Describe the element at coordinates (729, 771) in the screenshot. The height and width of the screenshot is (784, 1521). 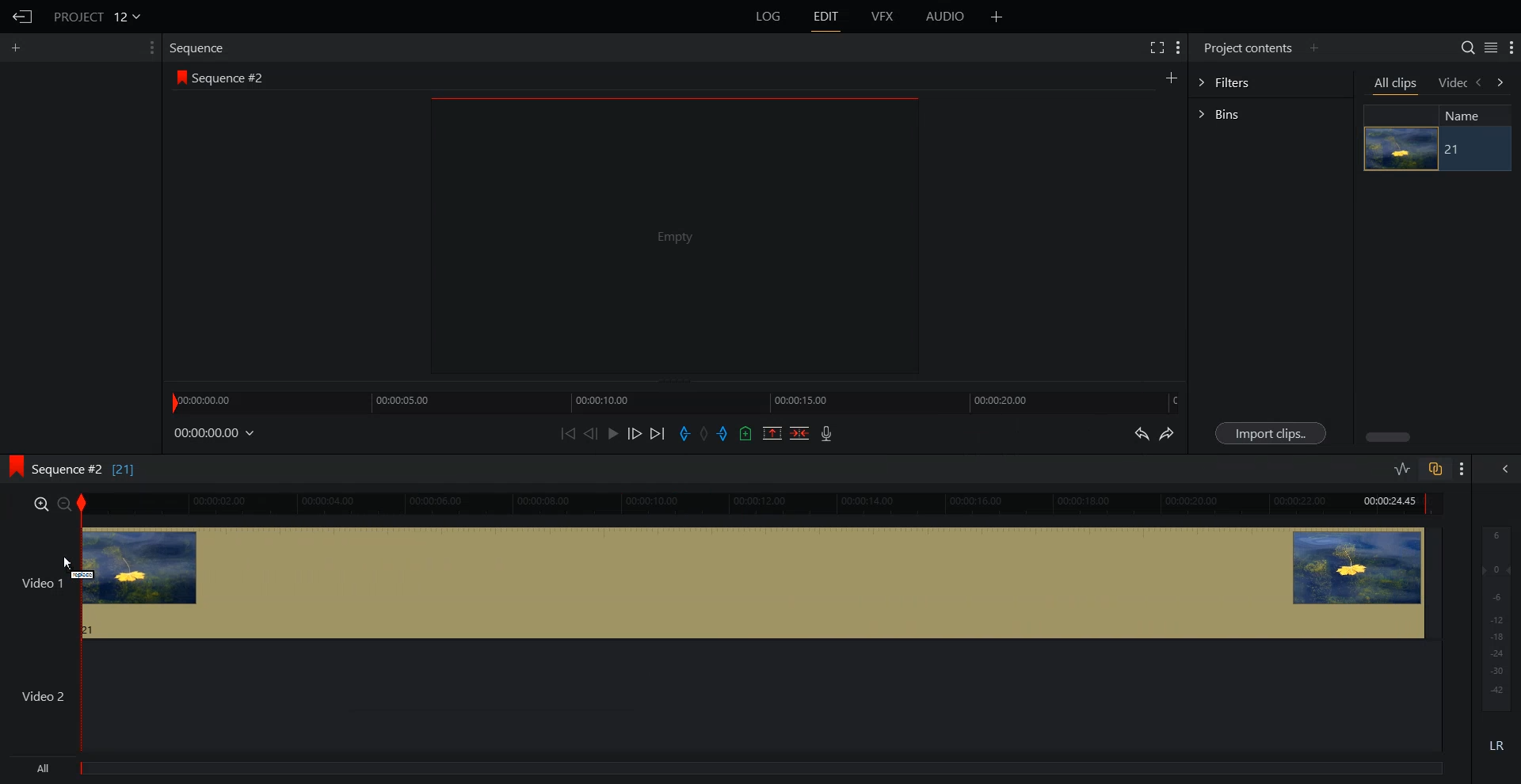
I see `All` at that location.